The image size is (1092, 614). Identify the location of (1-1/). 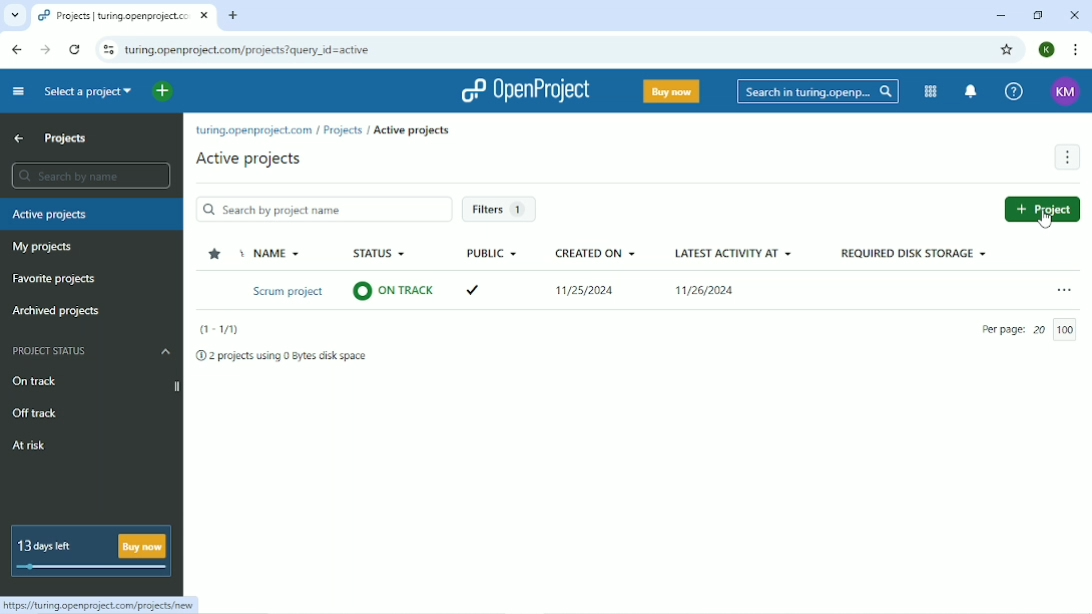
(218, 329).